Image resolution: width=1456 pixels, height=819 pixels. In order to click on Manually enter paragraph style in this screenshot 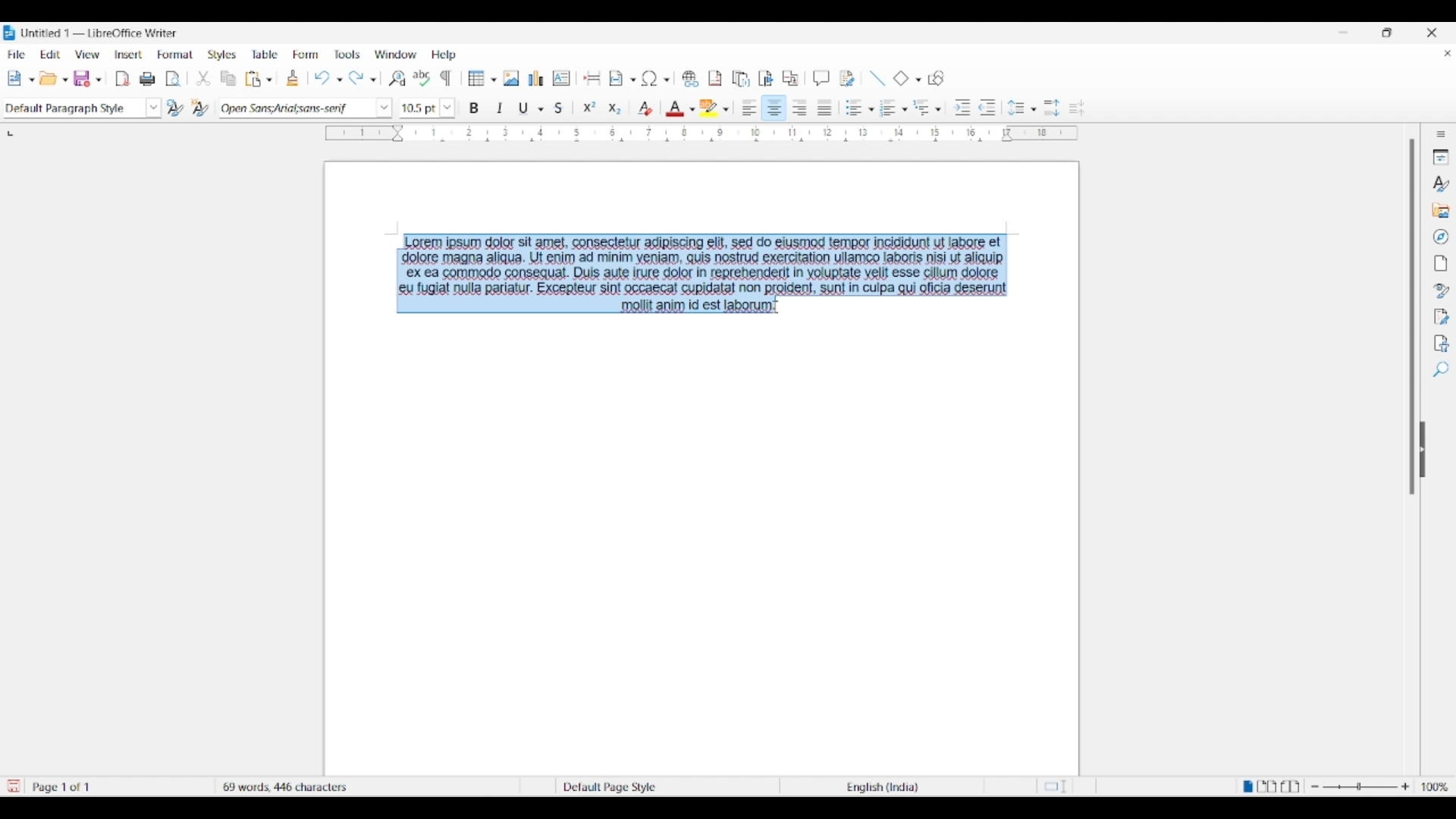, I will do `click(72, 108)`.